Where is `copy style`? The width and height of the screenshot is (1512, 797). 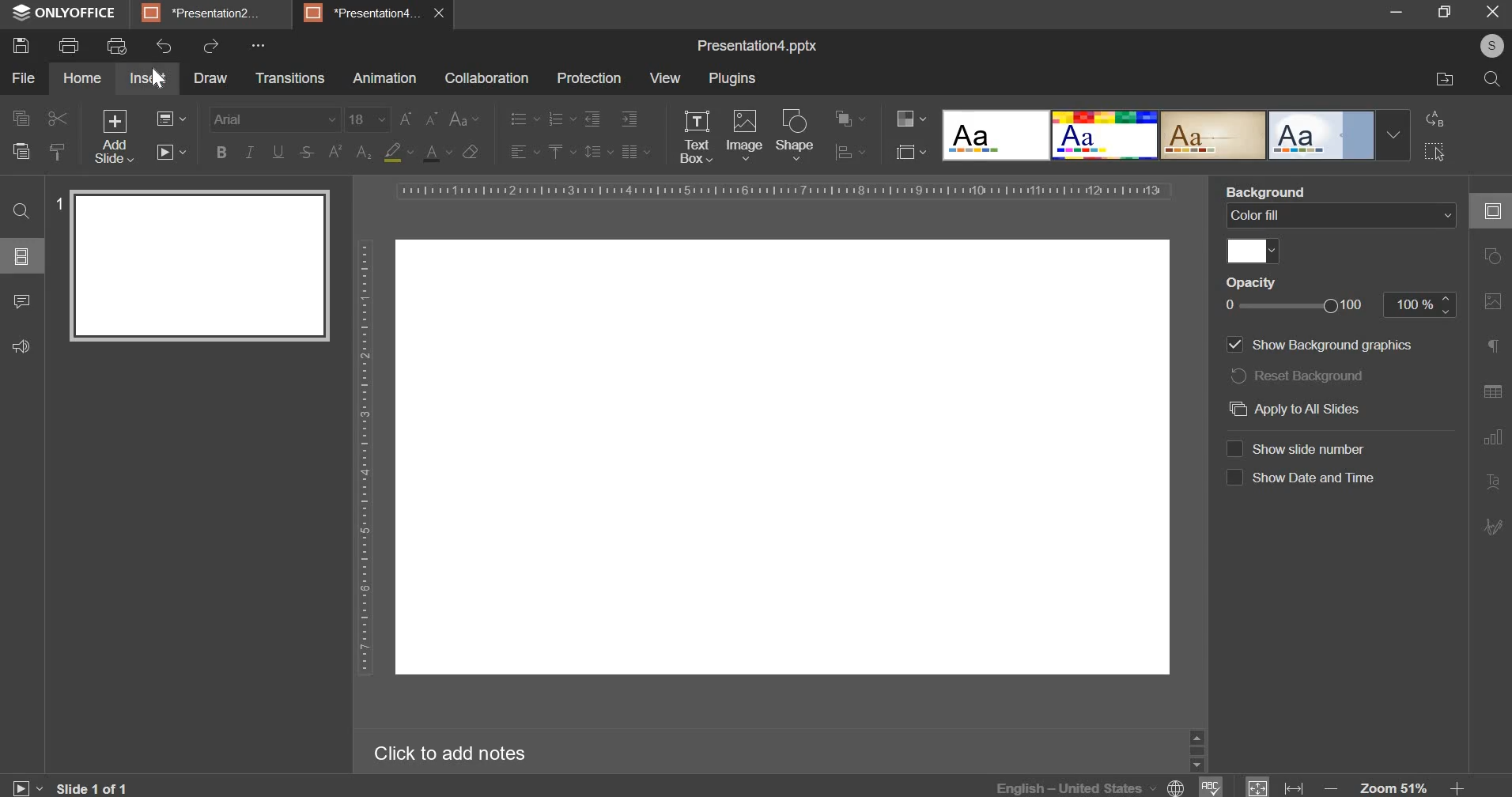
copy style is located at coordinates (62, 150).